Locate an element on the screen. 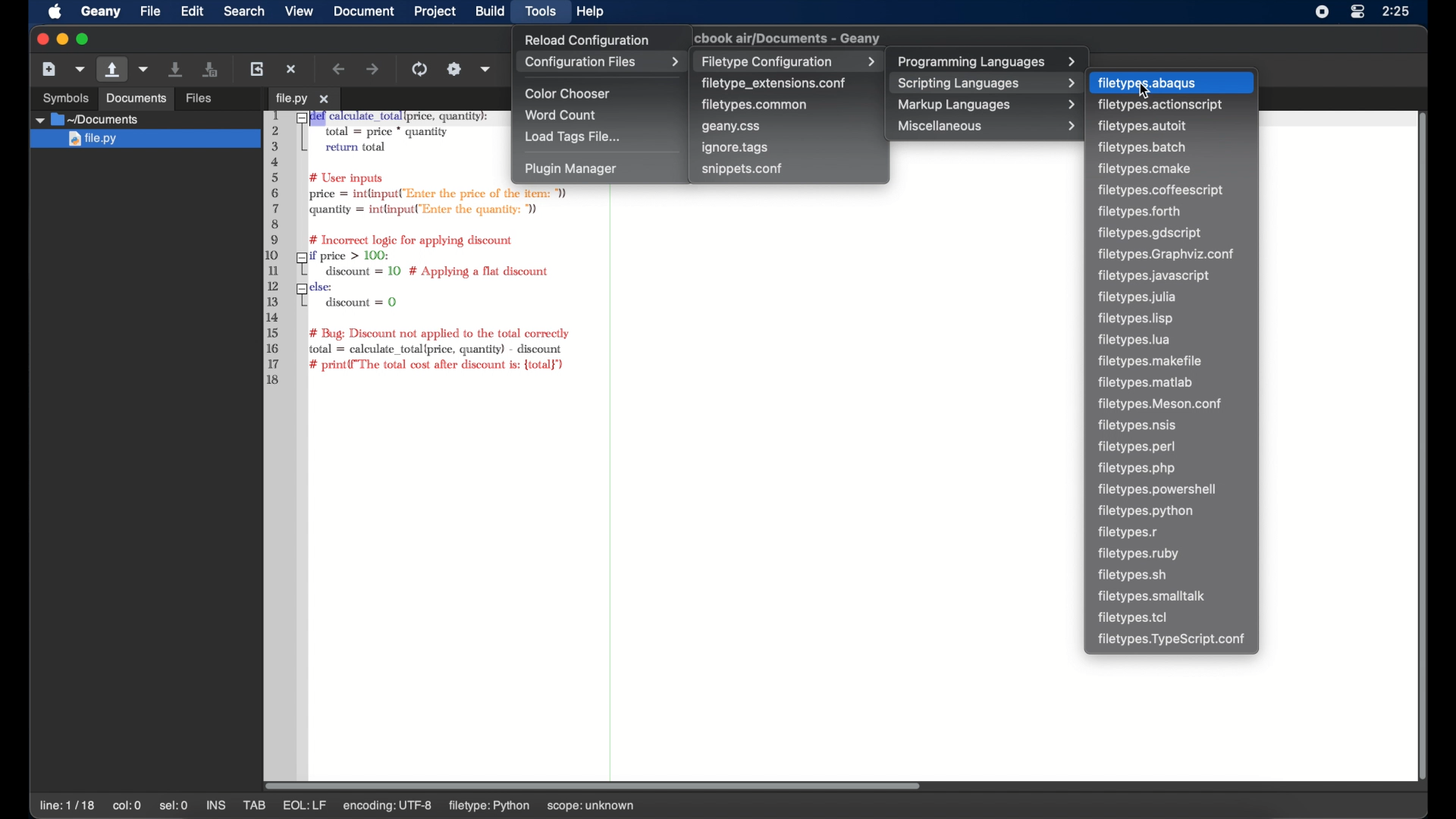  open an existing file is located at coordinates (113, 70).